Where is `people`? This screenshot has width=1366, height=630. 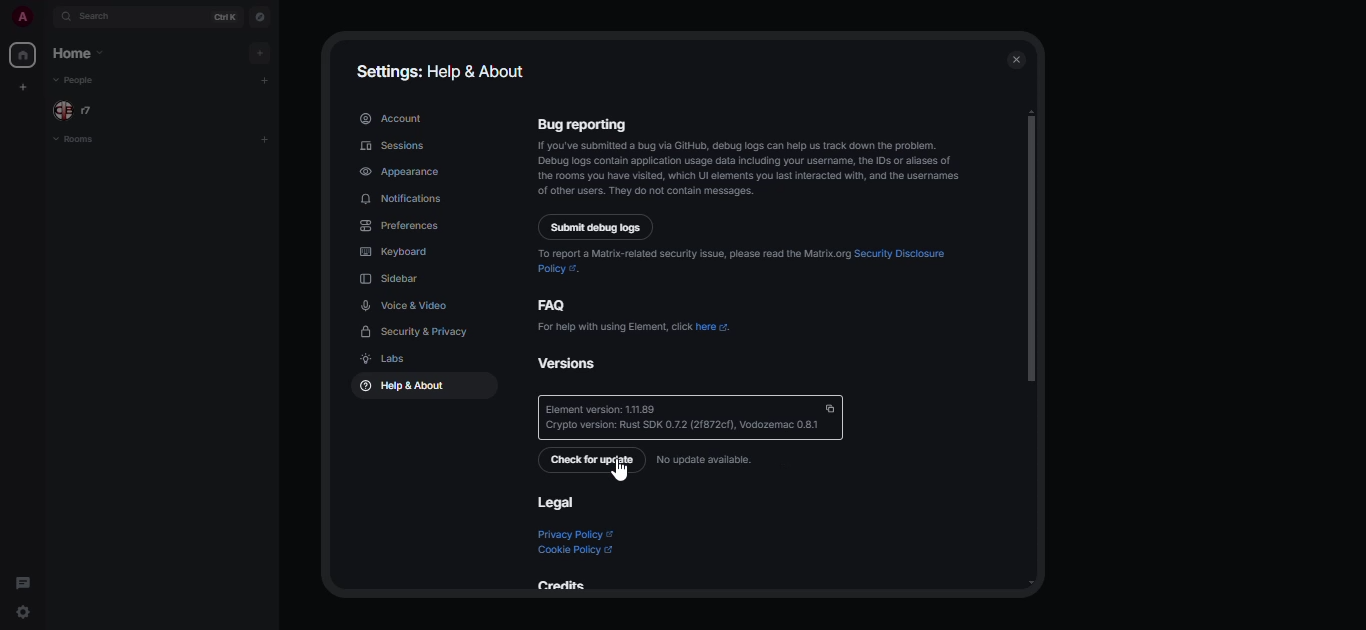 people is located at coordinates (88, 109).